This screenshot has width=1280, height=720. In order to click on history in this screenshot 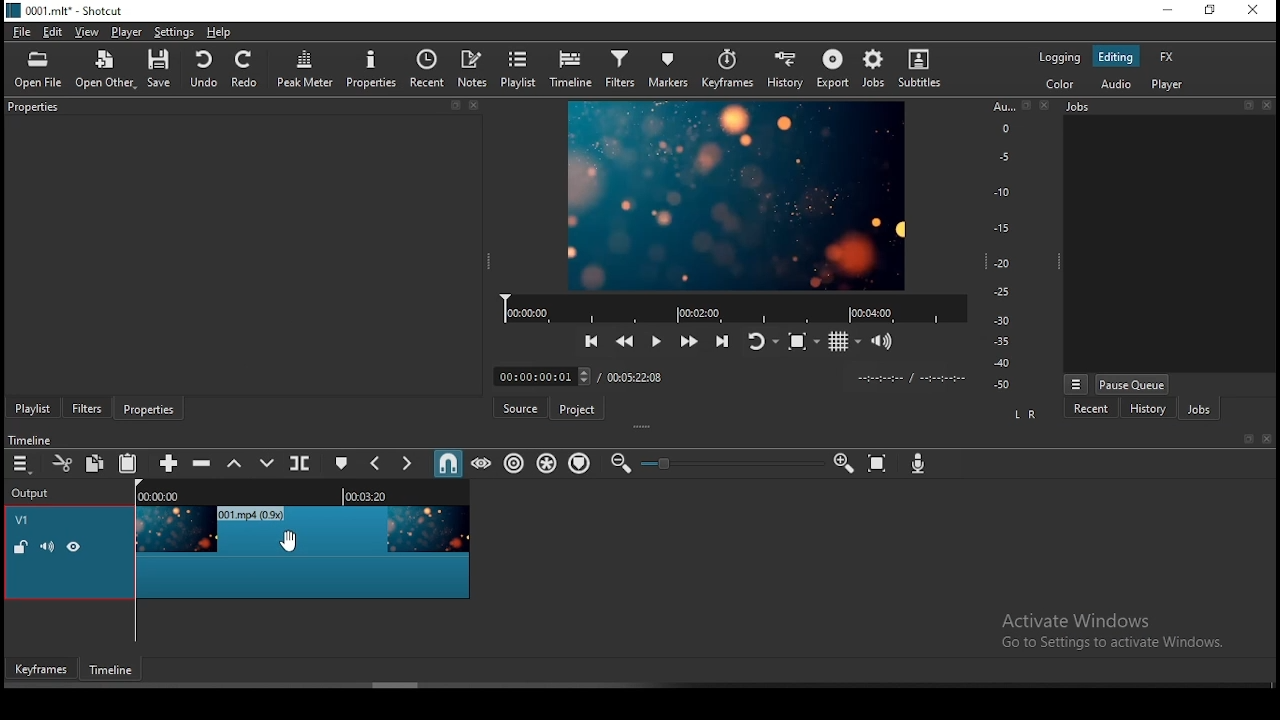, I will do `click(785, 68)`.